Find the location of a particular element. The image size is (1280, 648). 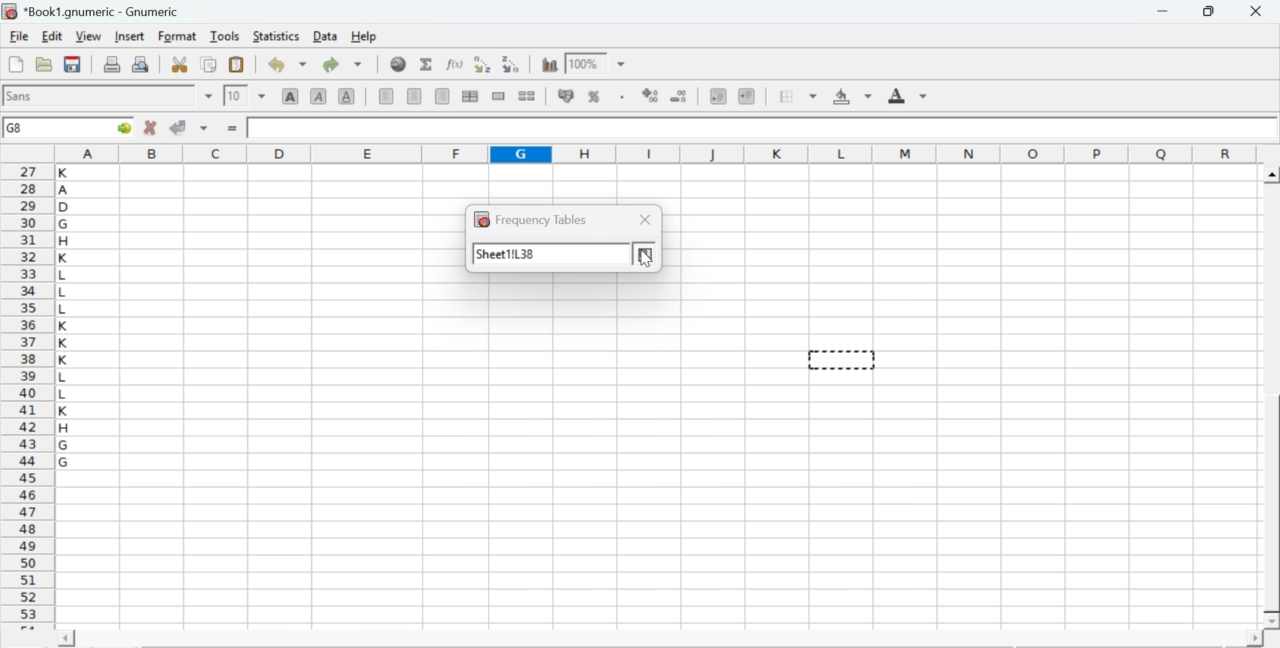

accept changes across selection is located at coordinates (203, 127).